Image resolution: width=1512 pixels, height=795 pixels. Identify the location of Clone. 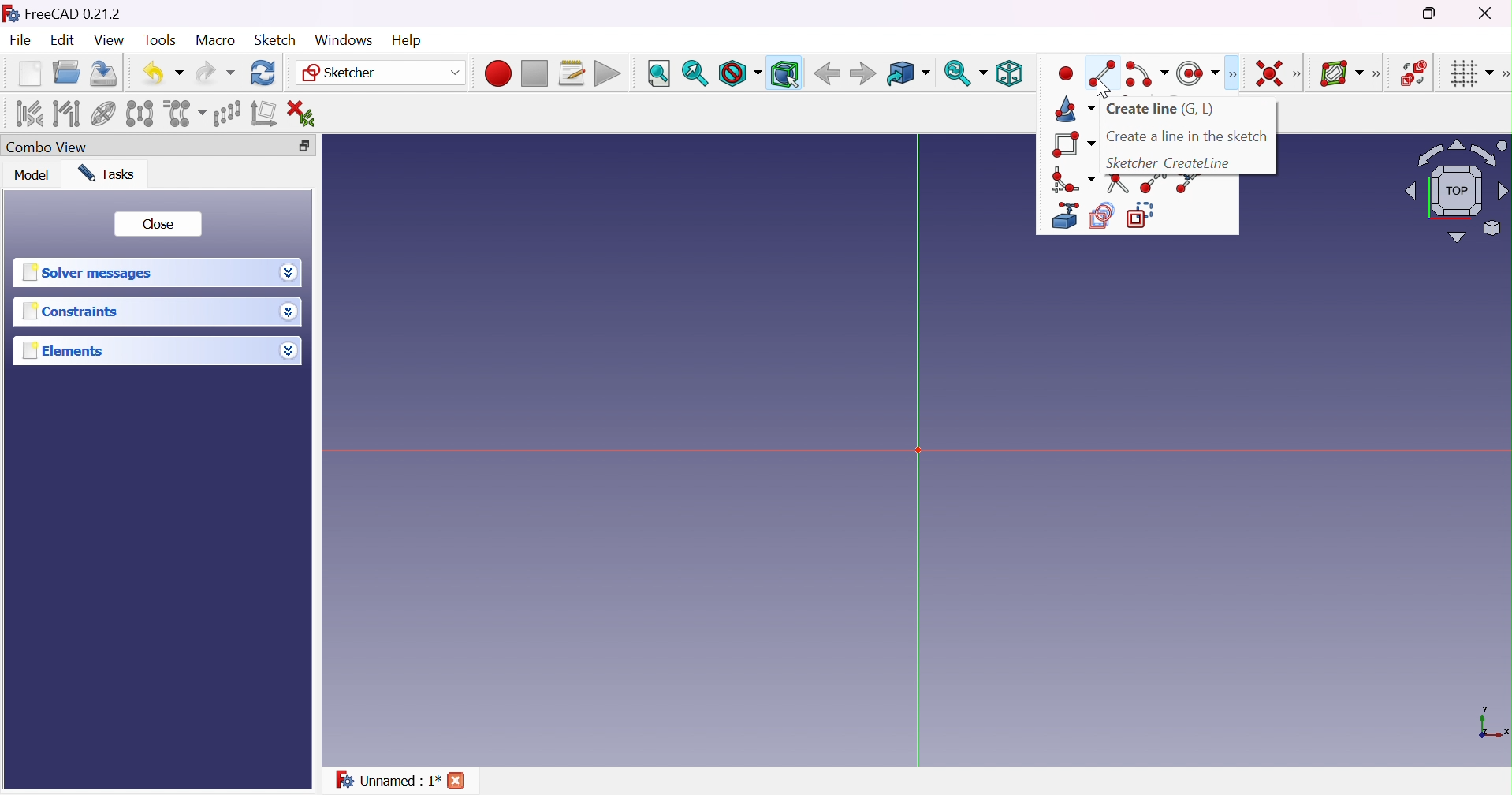
(184, 112).